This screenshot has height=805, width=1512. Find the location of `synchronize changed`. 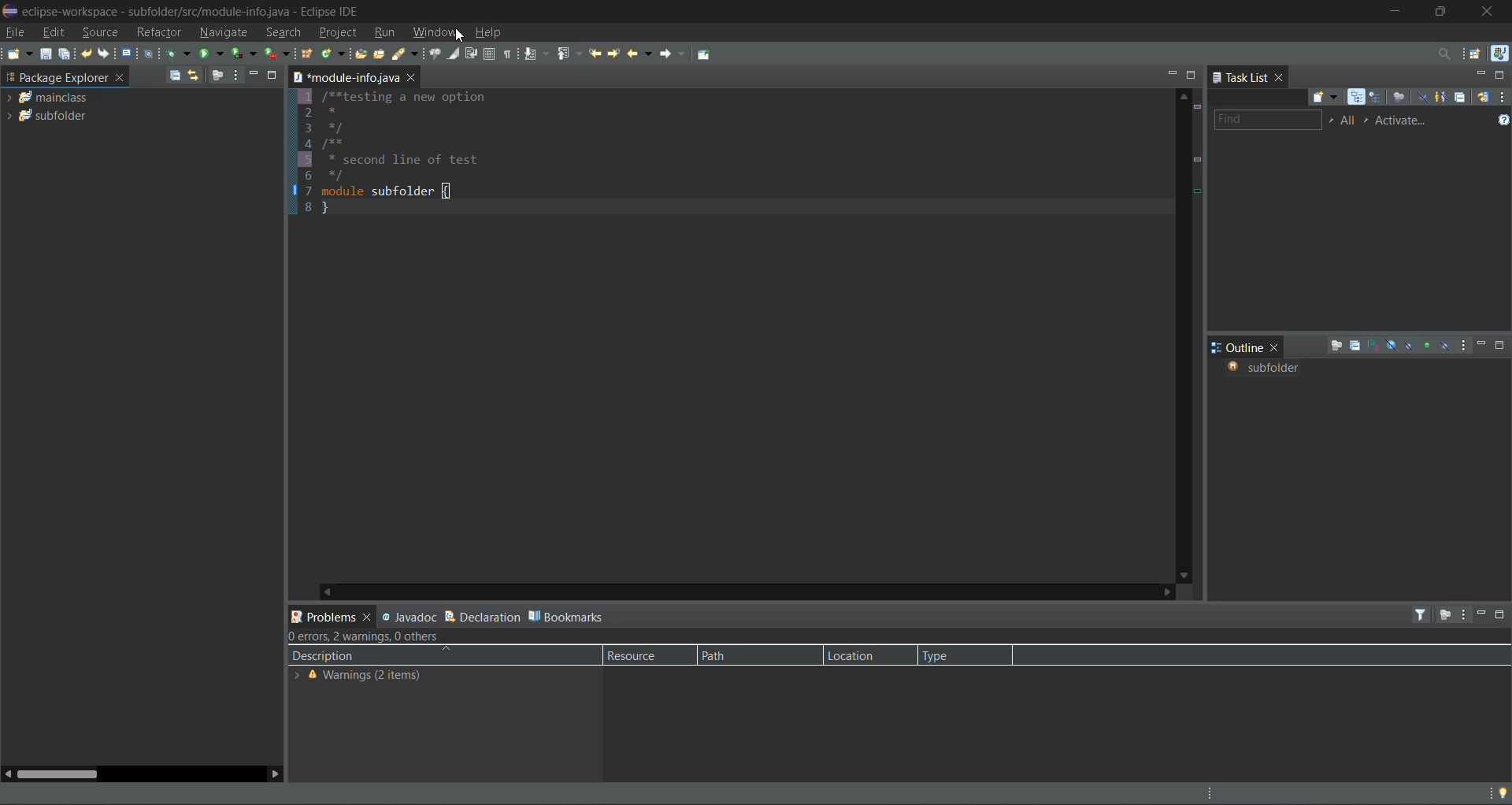

synchronize changed is located at coordinates (1483, 98).